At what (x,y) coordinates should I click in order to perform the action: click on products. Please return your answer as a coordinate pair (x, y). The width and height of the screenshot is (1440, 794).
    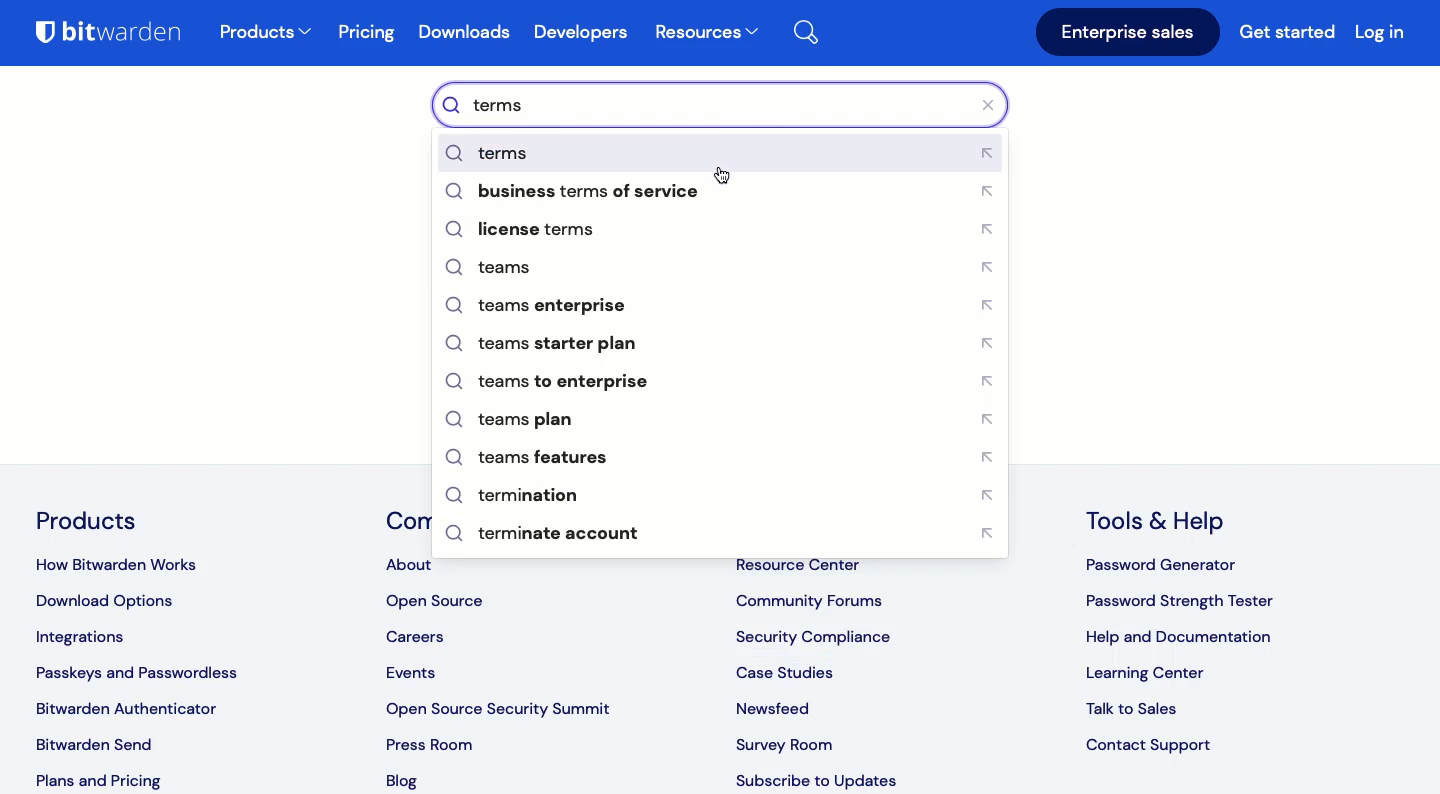
    Looking at the image, I should click on (88, 520).